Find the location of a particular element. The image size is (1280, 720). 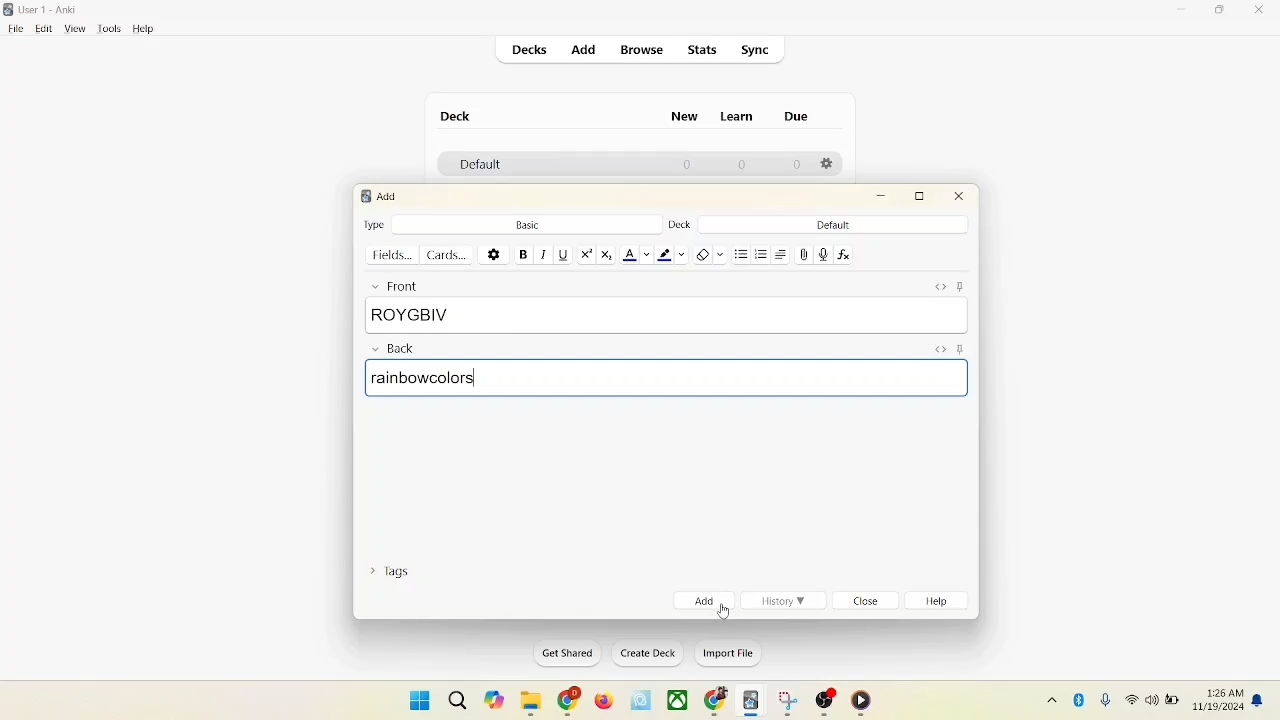

User1-Anki is located at coordinates (52, 10).